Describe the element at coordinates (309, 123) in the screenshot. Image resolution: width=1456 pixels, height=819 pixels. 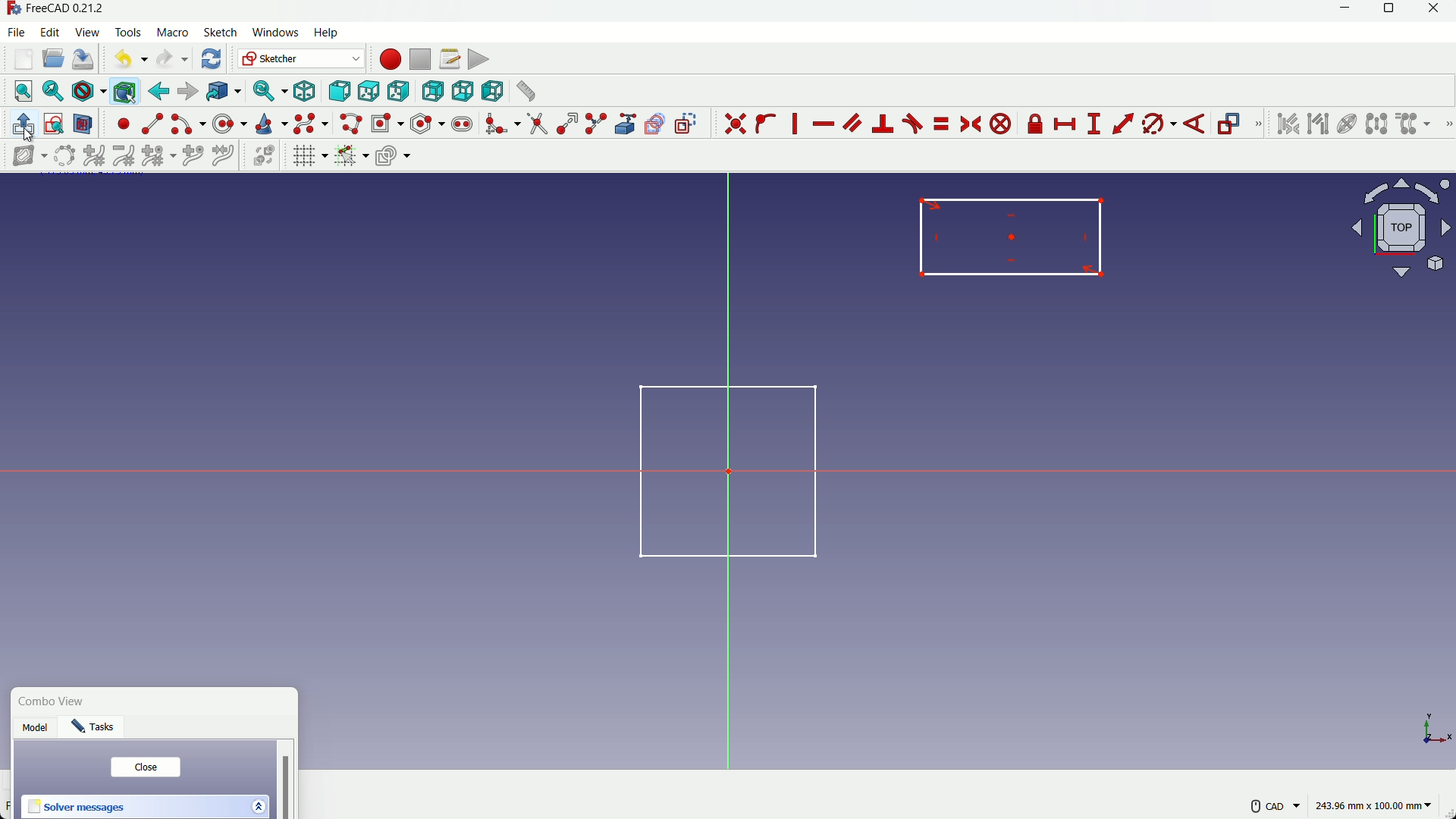
I see `create spiline` at that location.